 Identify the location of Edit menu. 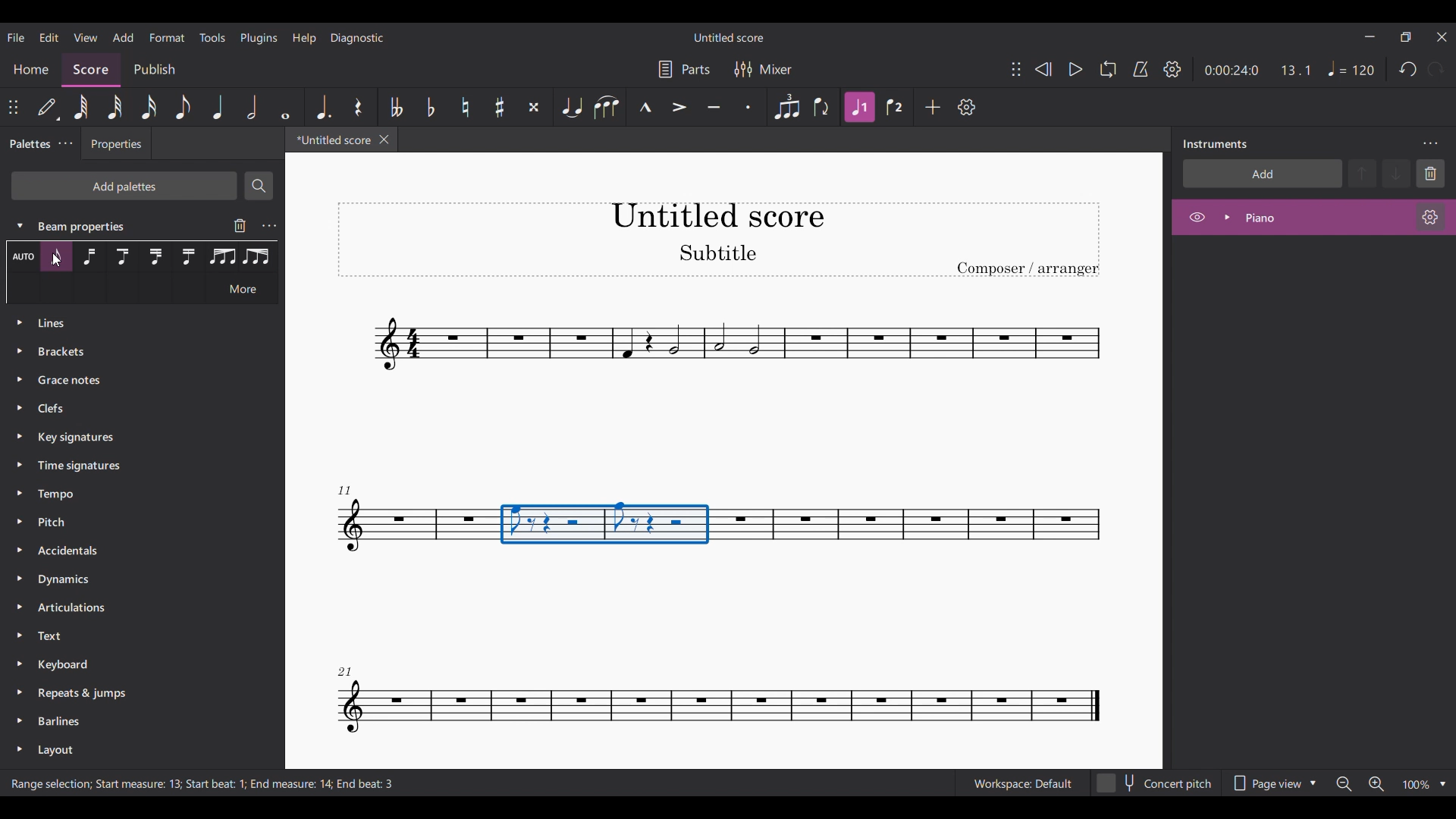
(49, 37).